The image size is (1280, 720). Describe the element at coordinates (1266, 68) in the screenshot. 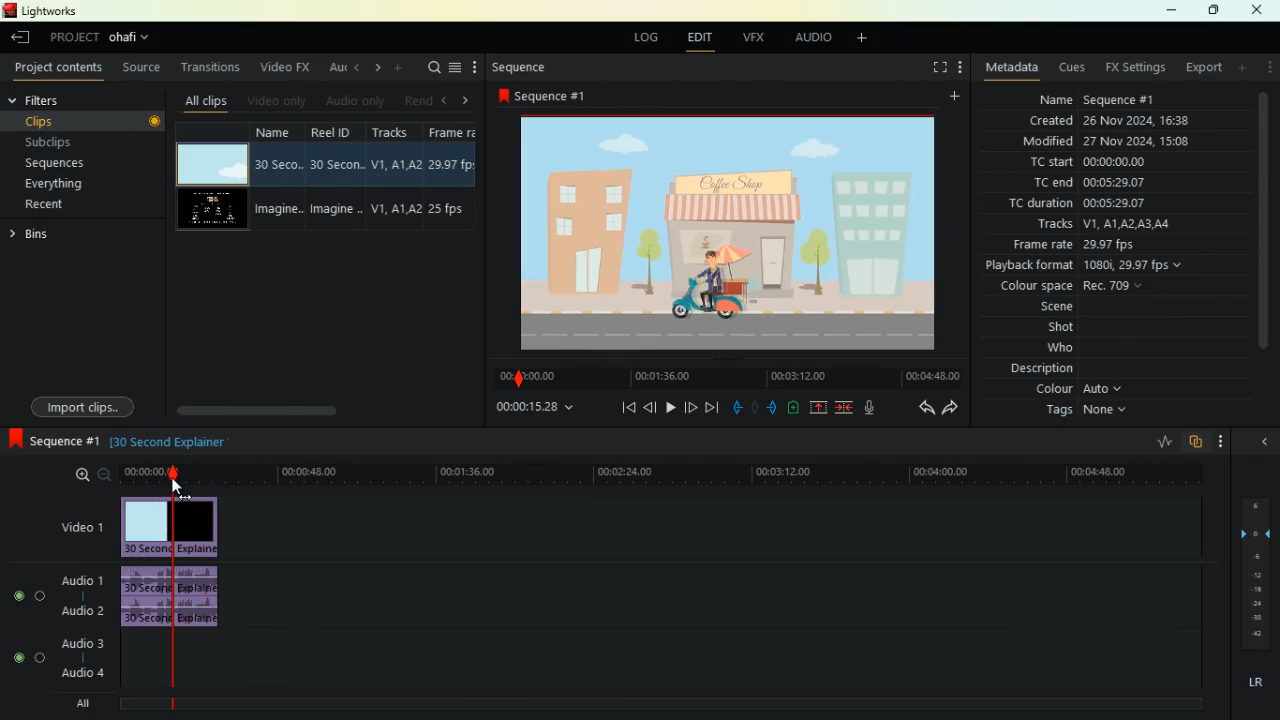

I see `menu` at that location.